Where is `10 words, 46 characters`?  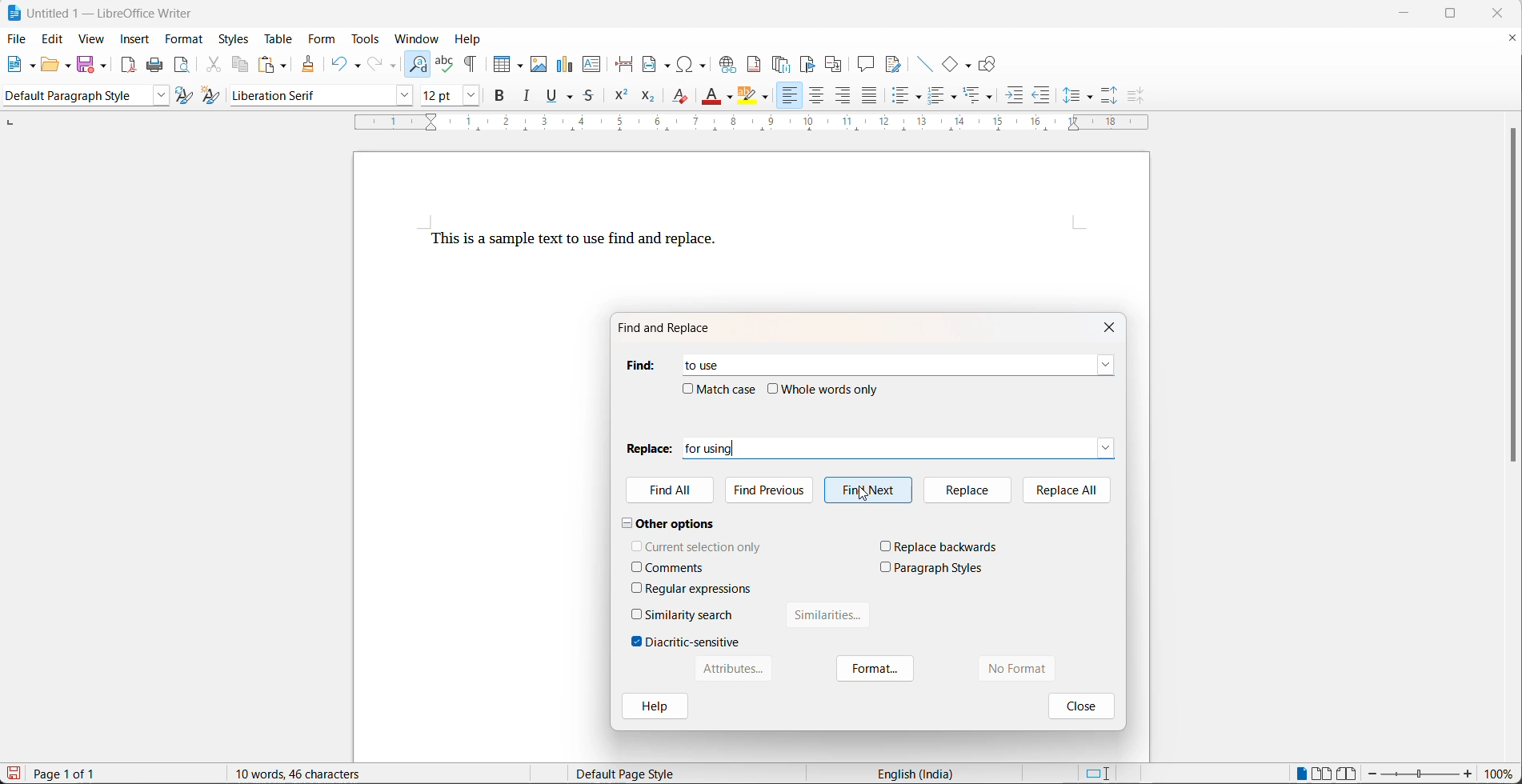
10 words, 46 characters is located at coordinates (318, 773).